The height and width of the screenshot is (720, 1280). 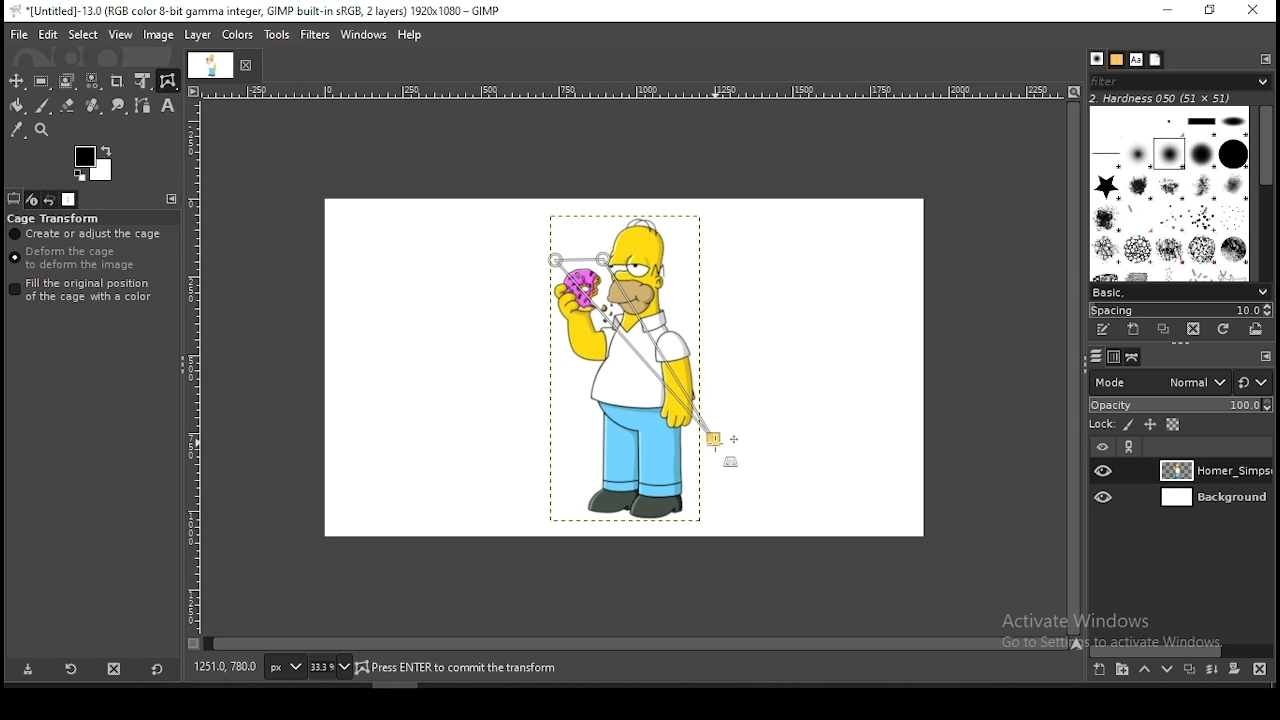 I want to click on deform the cage to deform the image, so click(x=76, y=259).